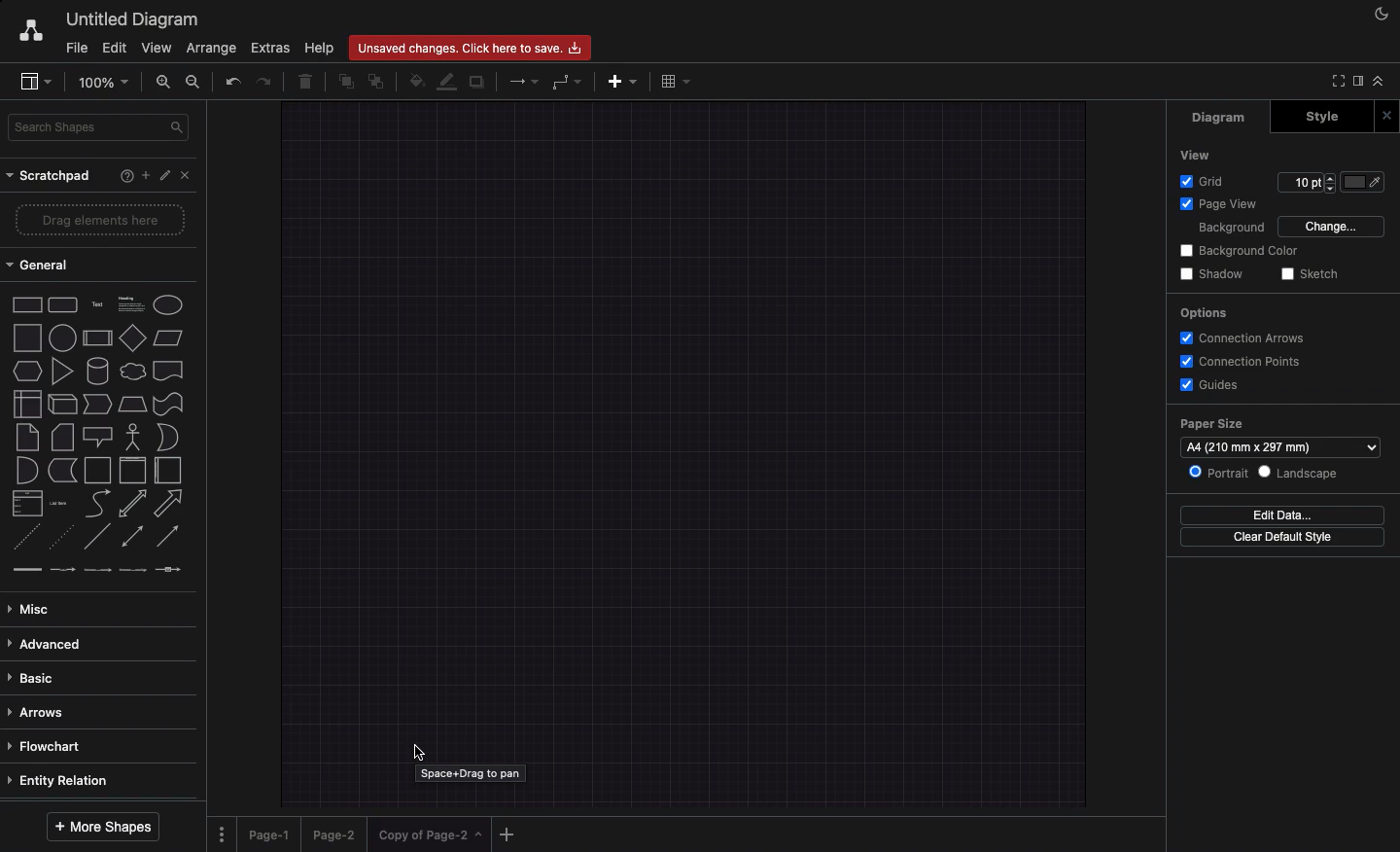 This screenshot has height=852, width=1400. What do you see at coordinates (348, 81) in the screenshot?
I see `To front` at bounding box center [348, 81].